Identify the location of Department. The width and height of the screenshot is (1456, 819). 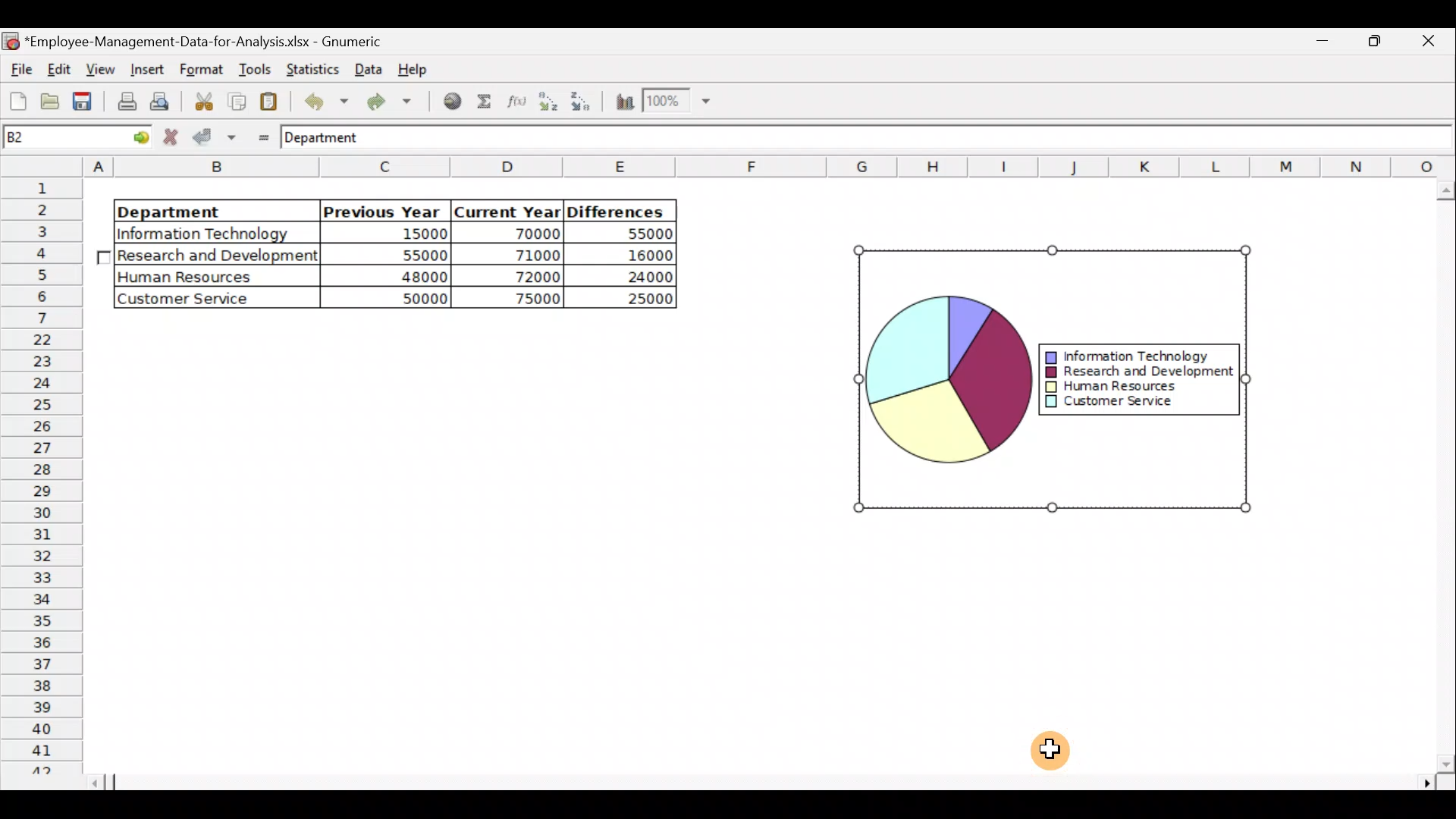
(334, 139).